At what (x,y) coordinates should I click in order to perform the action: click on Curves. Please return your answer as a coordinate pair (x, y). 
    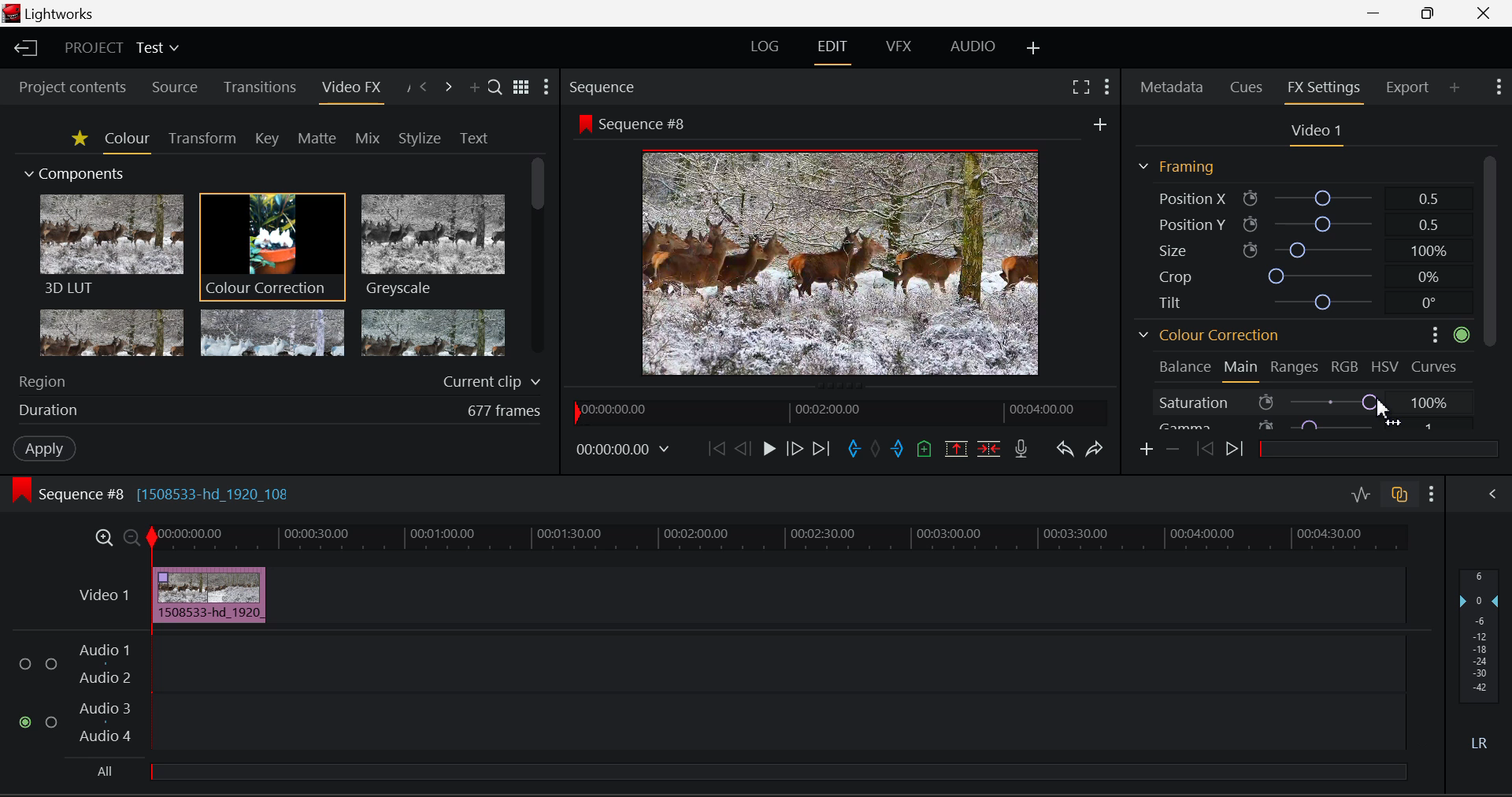
    Looking at the image, I should click on (1436, 365).